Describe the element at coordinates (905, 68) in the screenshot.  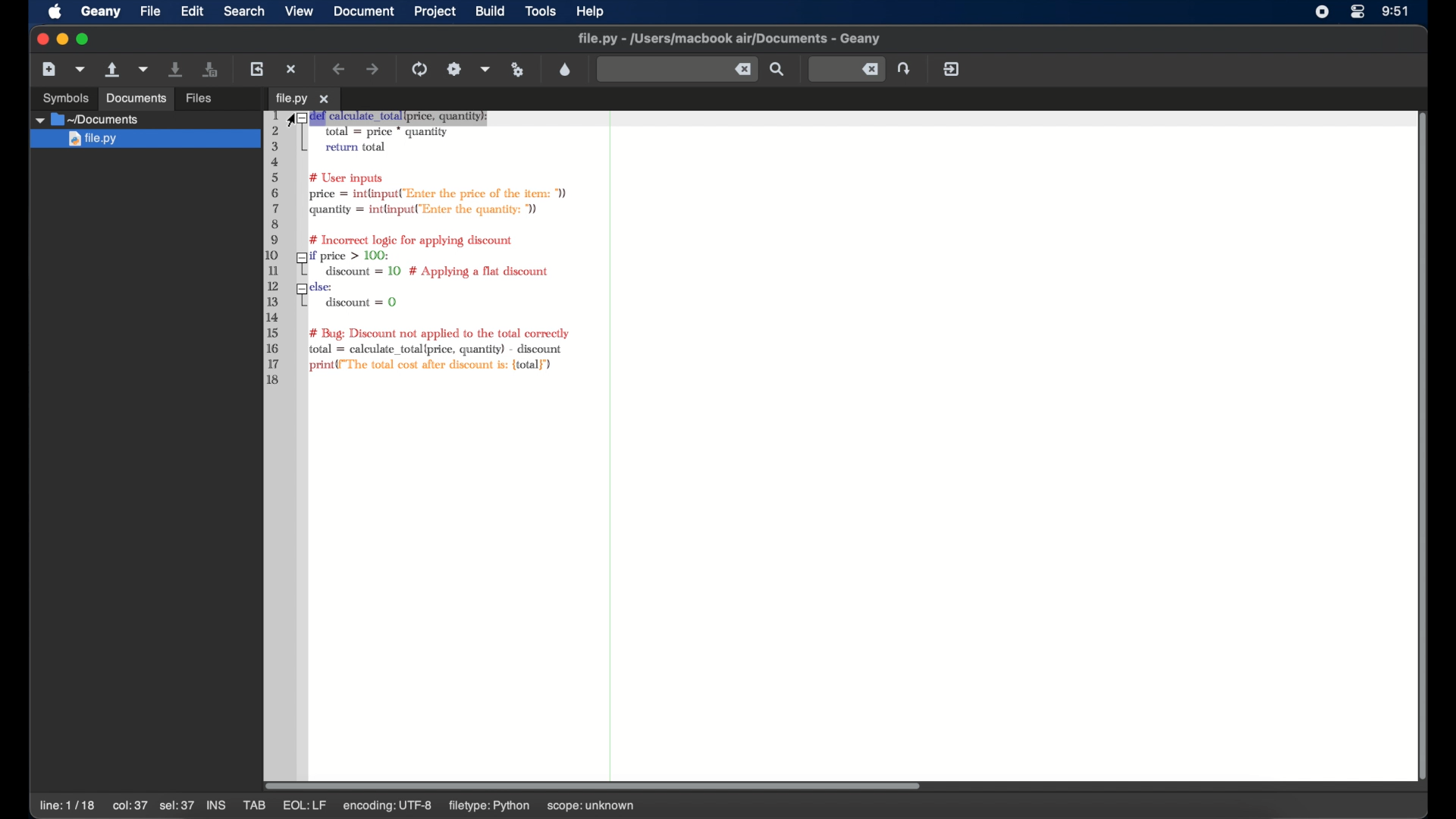
I see `jump to the entered line number` at that location.